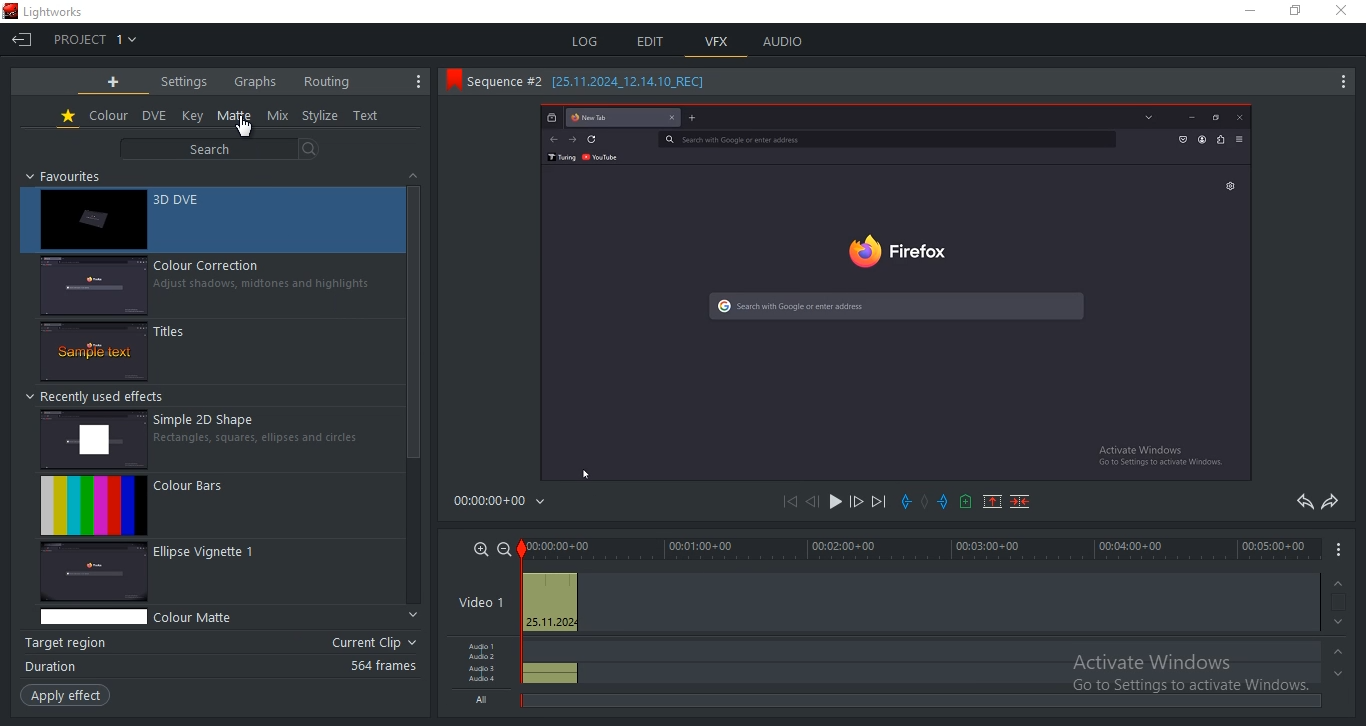  What do you see at coordinates (1346, 12) in the screenshot?
I see `close` at bounding box center [1346, 12].